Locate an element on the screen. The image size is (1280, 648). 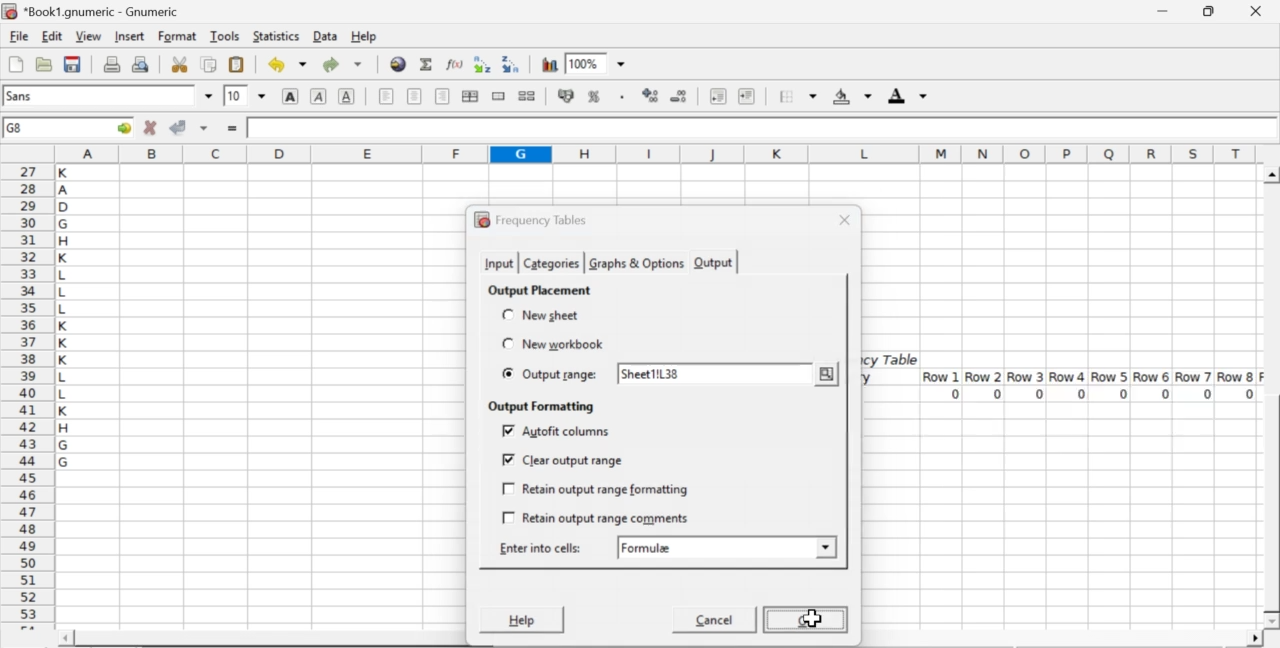
accept changes across selection is located at coordinates (203, 127).